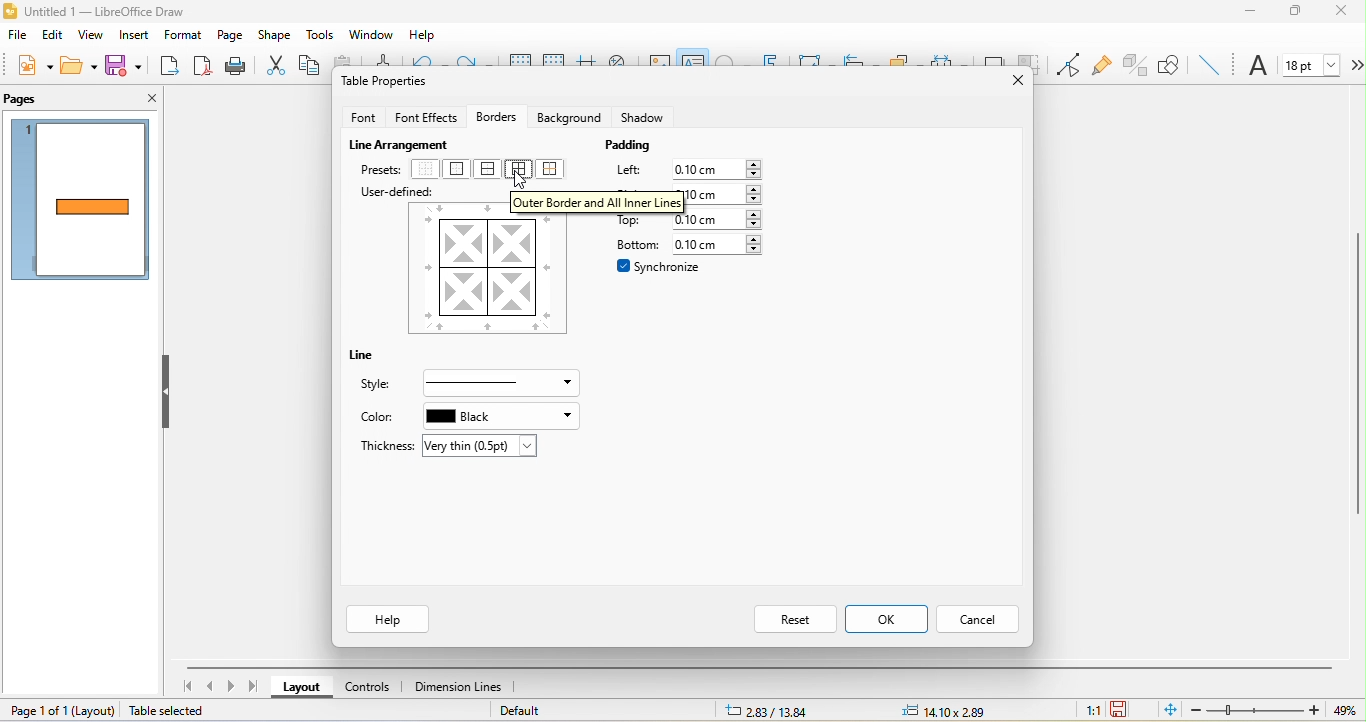  Describe the element at coordinates (724, 195) in the screenshot. I see `0.10 cm` at that location.